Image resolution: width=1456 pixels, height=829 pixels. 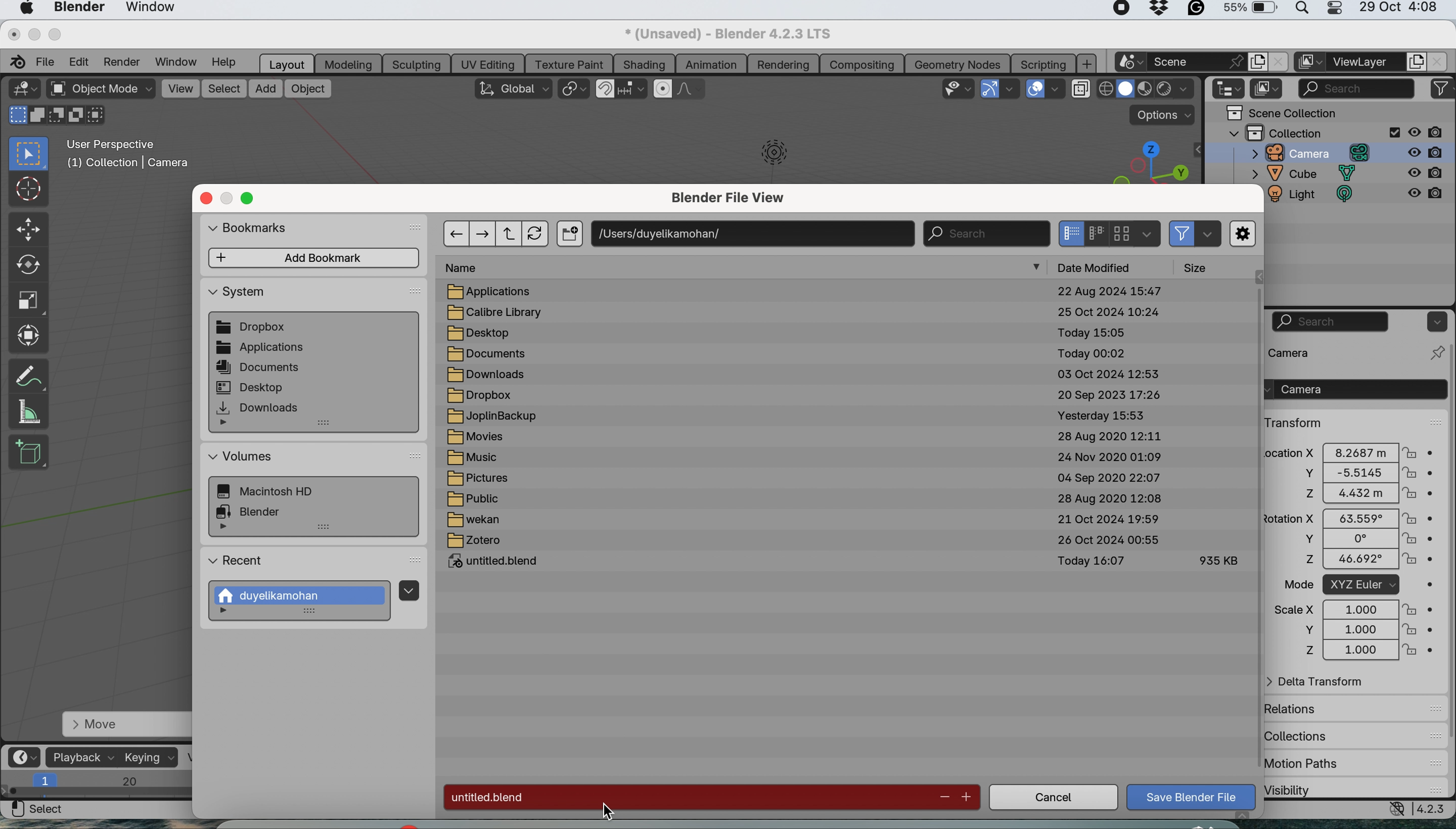 I want to click on disable in render, so click(x=1428, y=151).